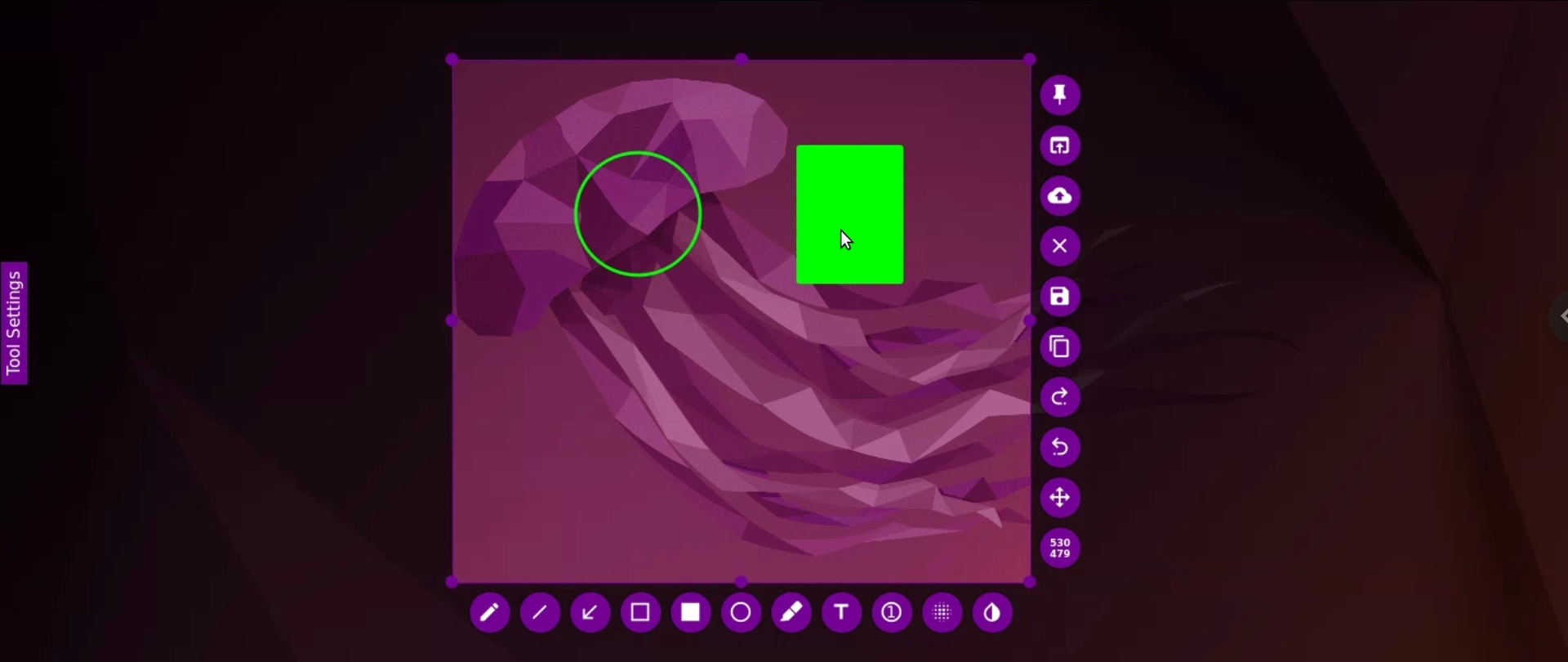 The width and height of the screenshot is (1568, 662). Describe the element at coordinates (1547, 316) in the screenshot. I see `chrome options` at that location.